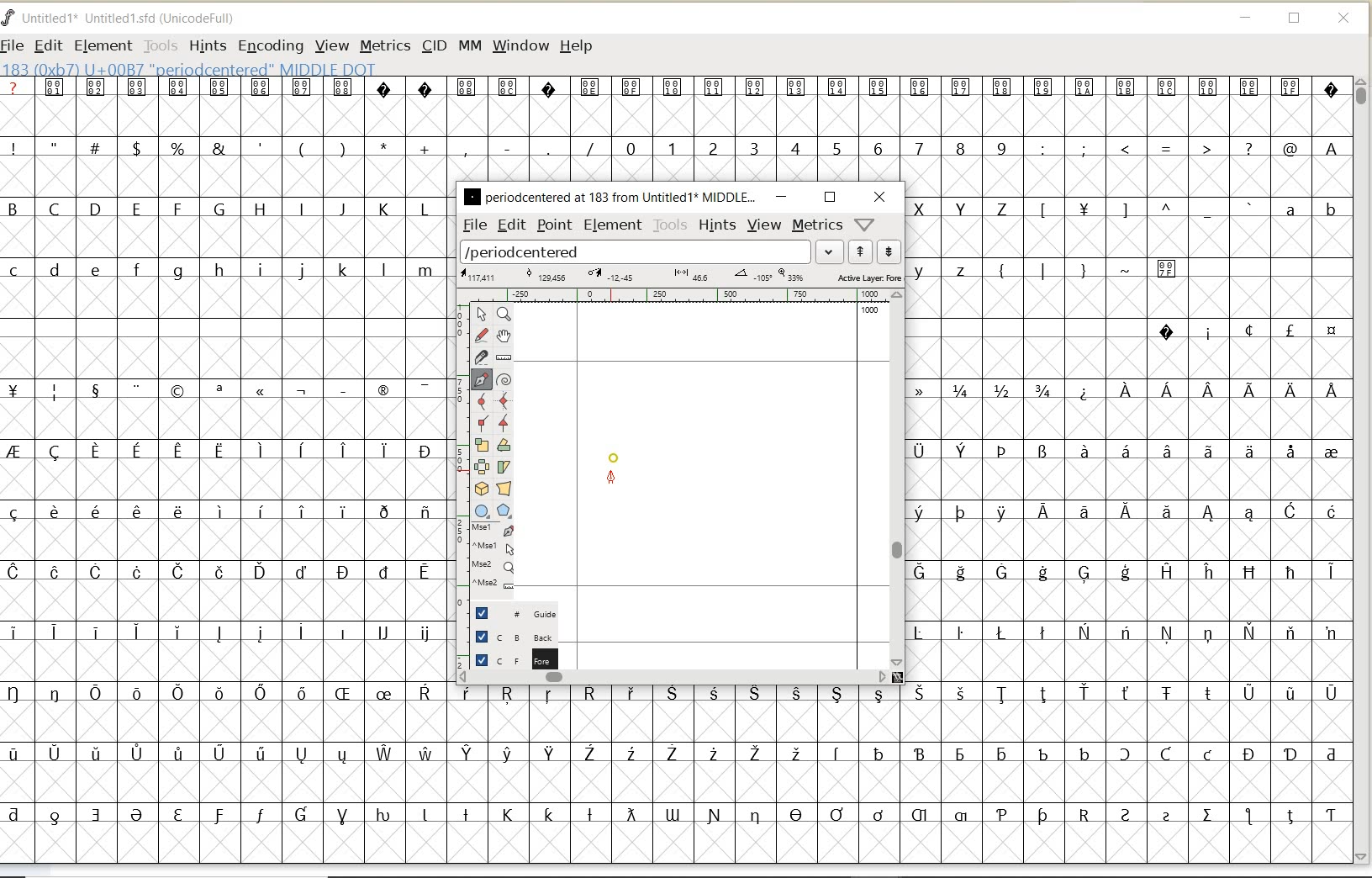  I want to click on Magnify, so click(504, 315).